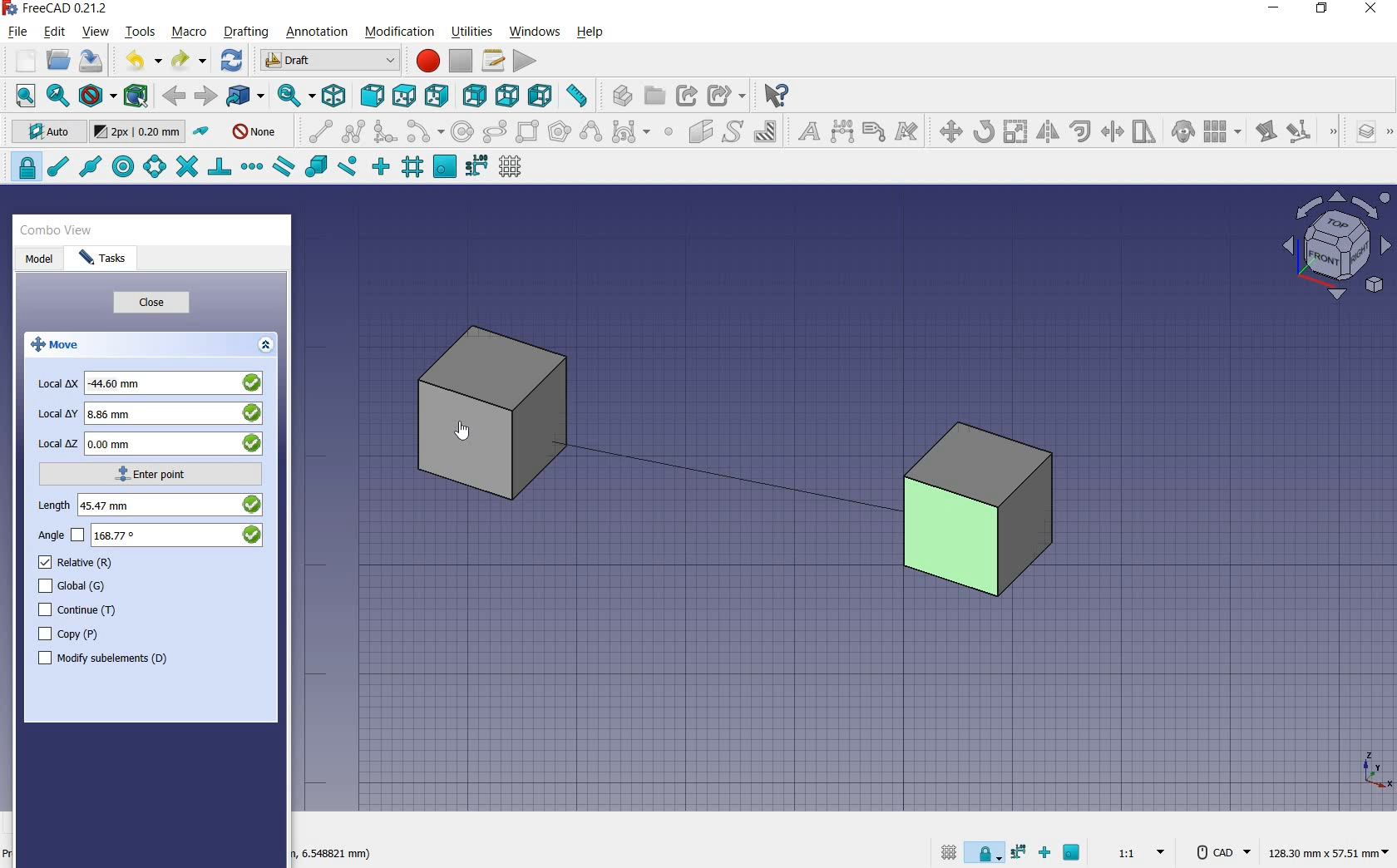 The width and height of the screenshot is (1397, 868). Describe the element at coordinates (726, 96) in the screenshot. I see `make sub link` at that location.